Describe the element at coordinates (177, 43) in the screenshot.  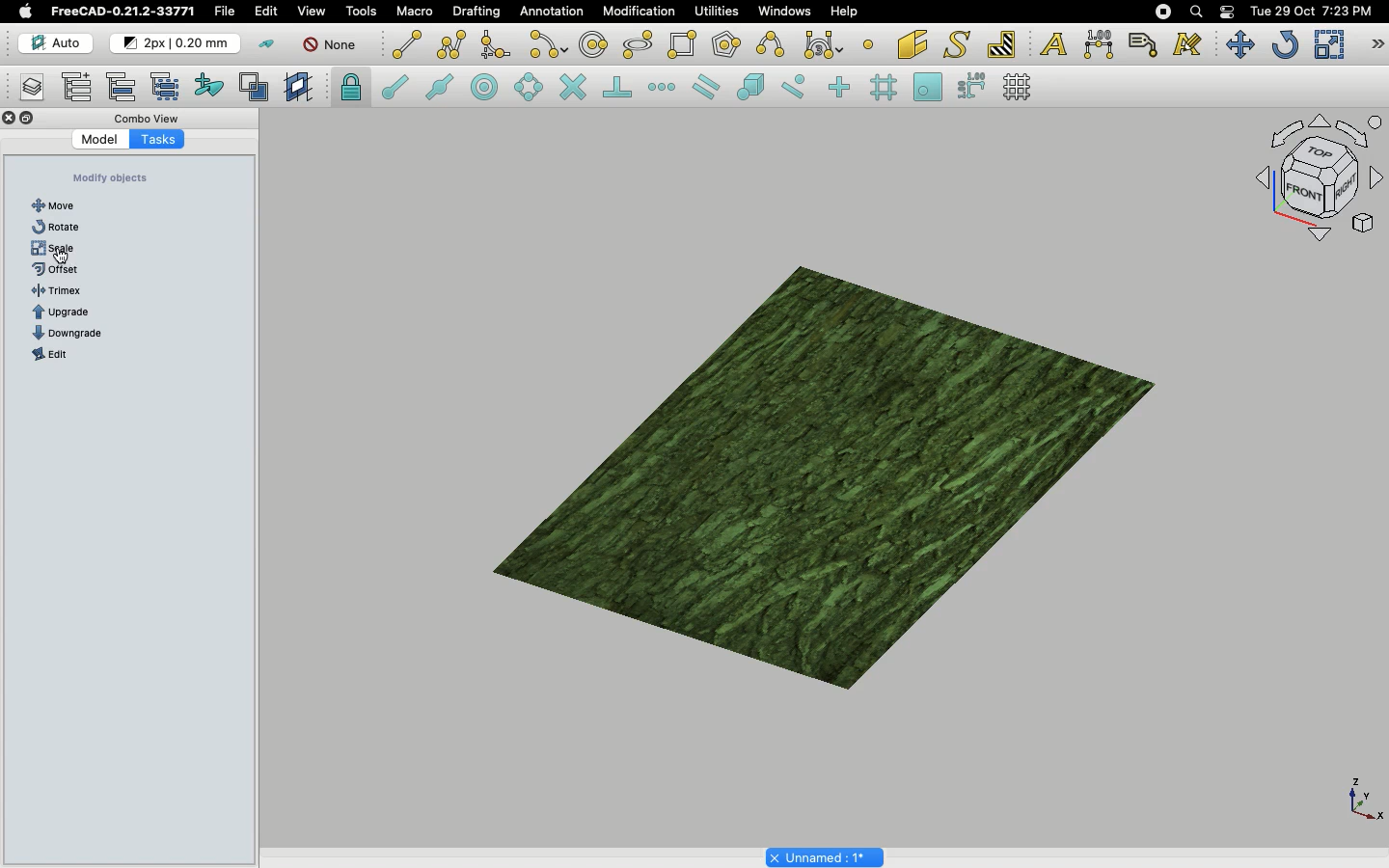
I see `Change default style for new objects` at that location.